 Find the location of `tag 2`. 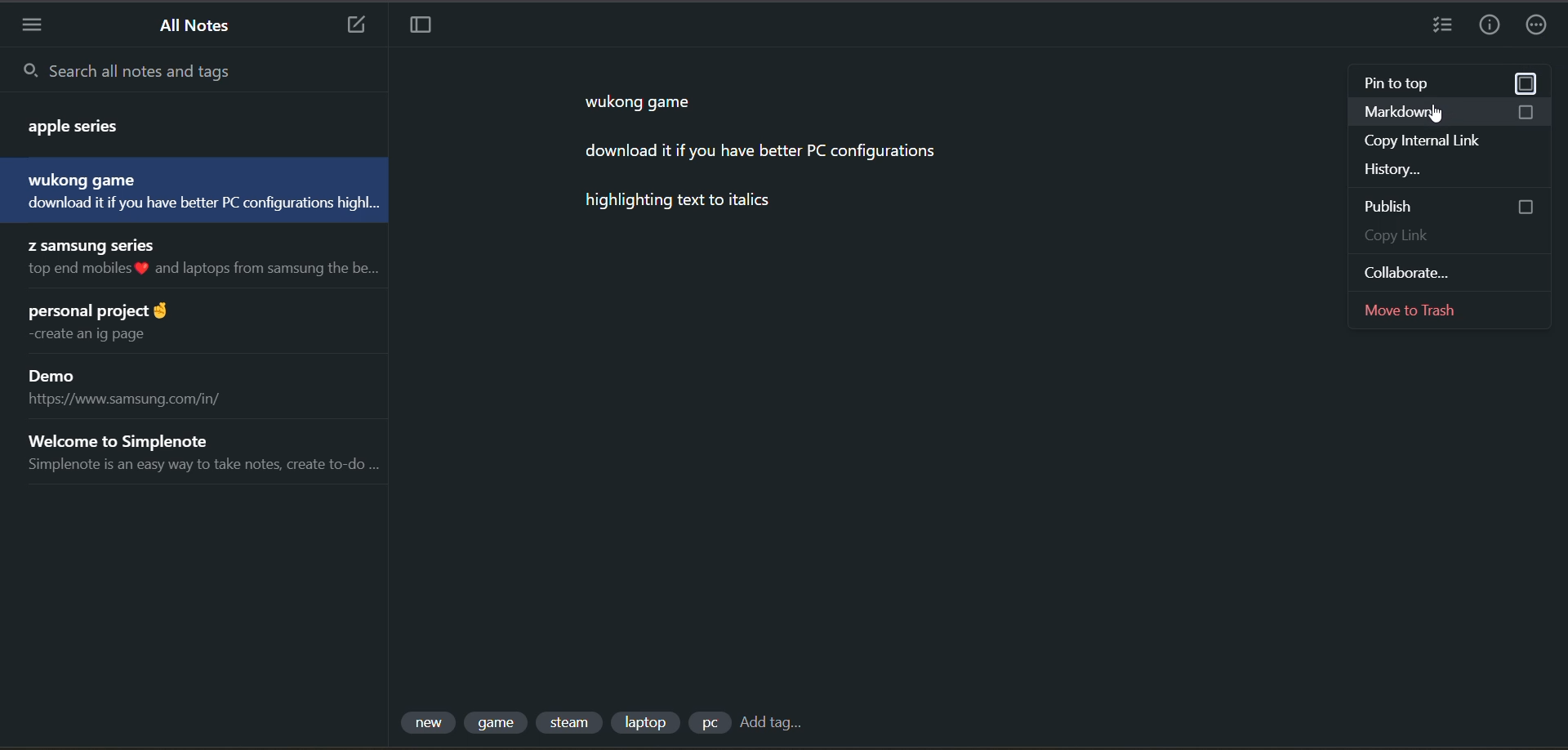

tag 2 is located at coordinates (498, 723).